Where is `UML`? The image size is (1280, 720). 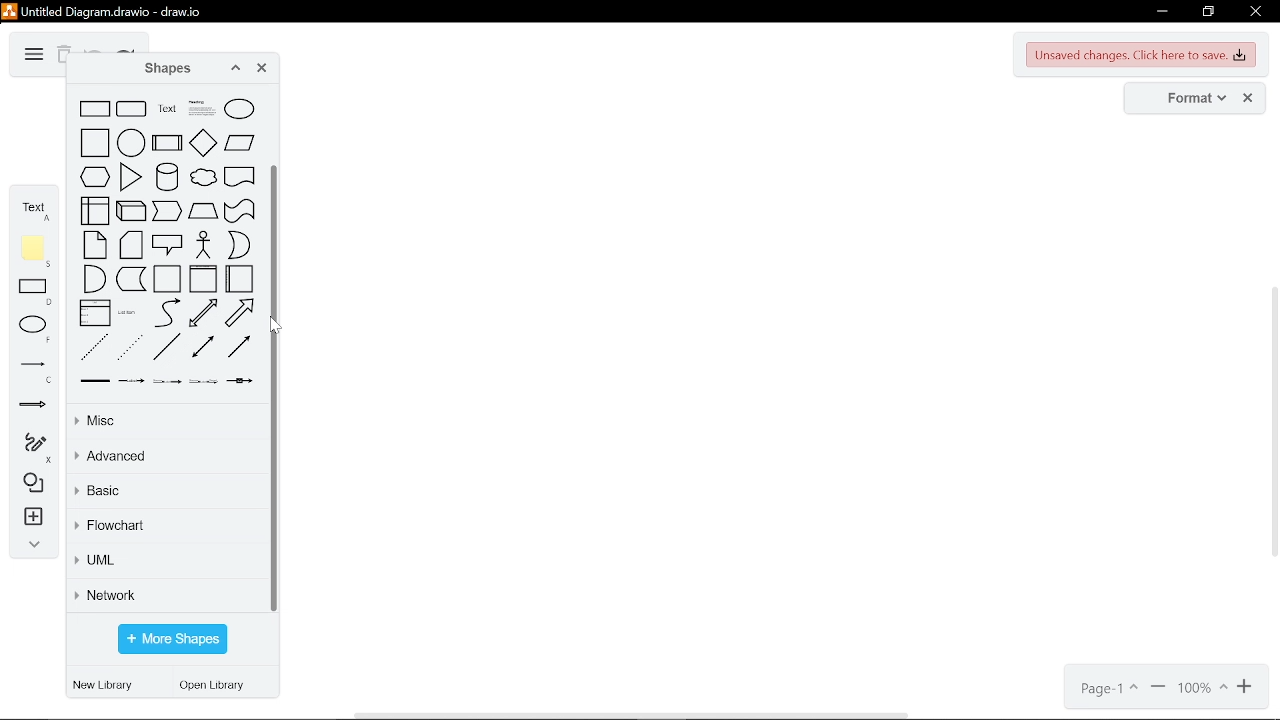
UML is located at coordinates (166, 563).